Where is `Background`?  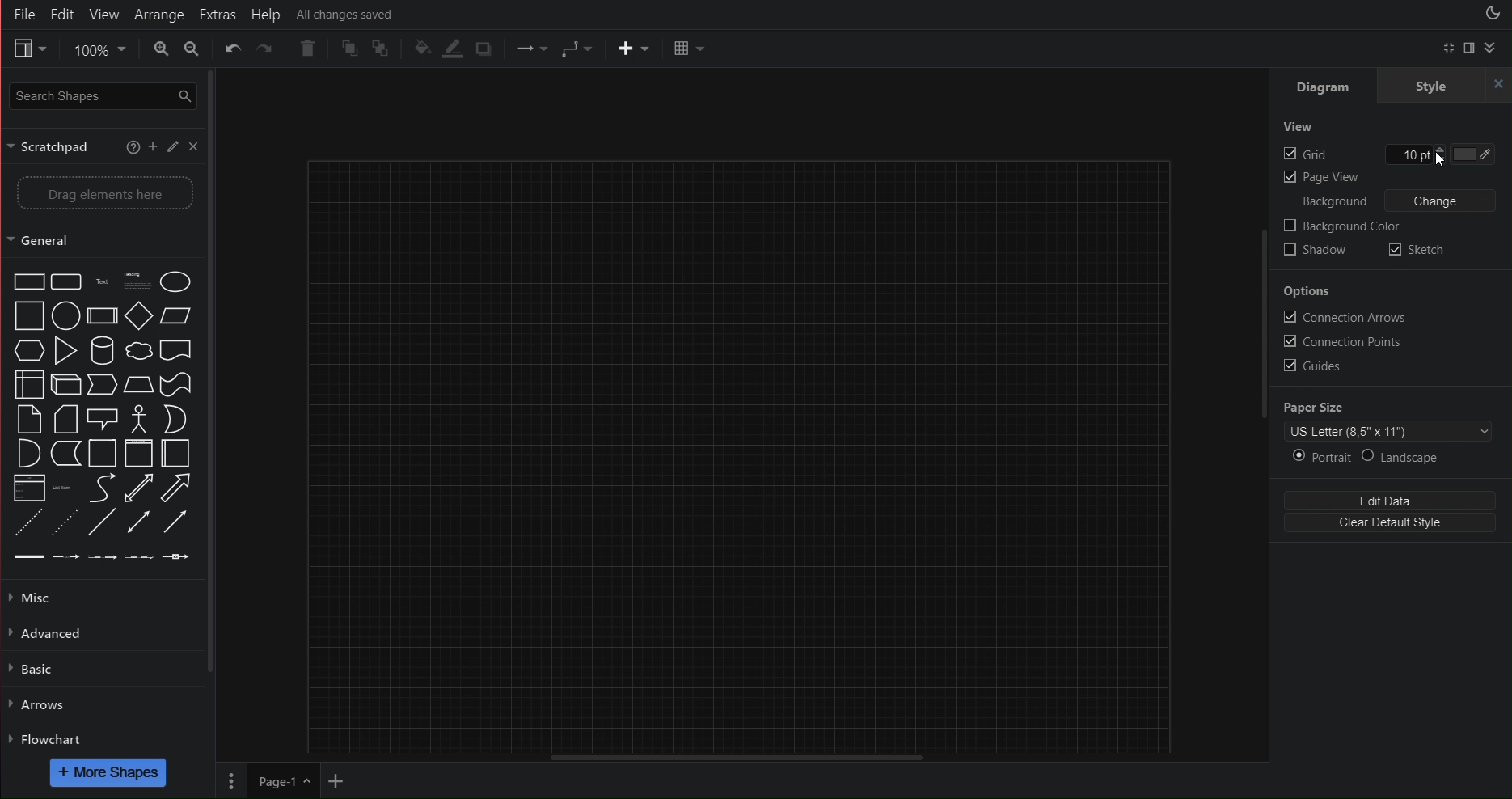 Background is located at coordinates (1335, 202).